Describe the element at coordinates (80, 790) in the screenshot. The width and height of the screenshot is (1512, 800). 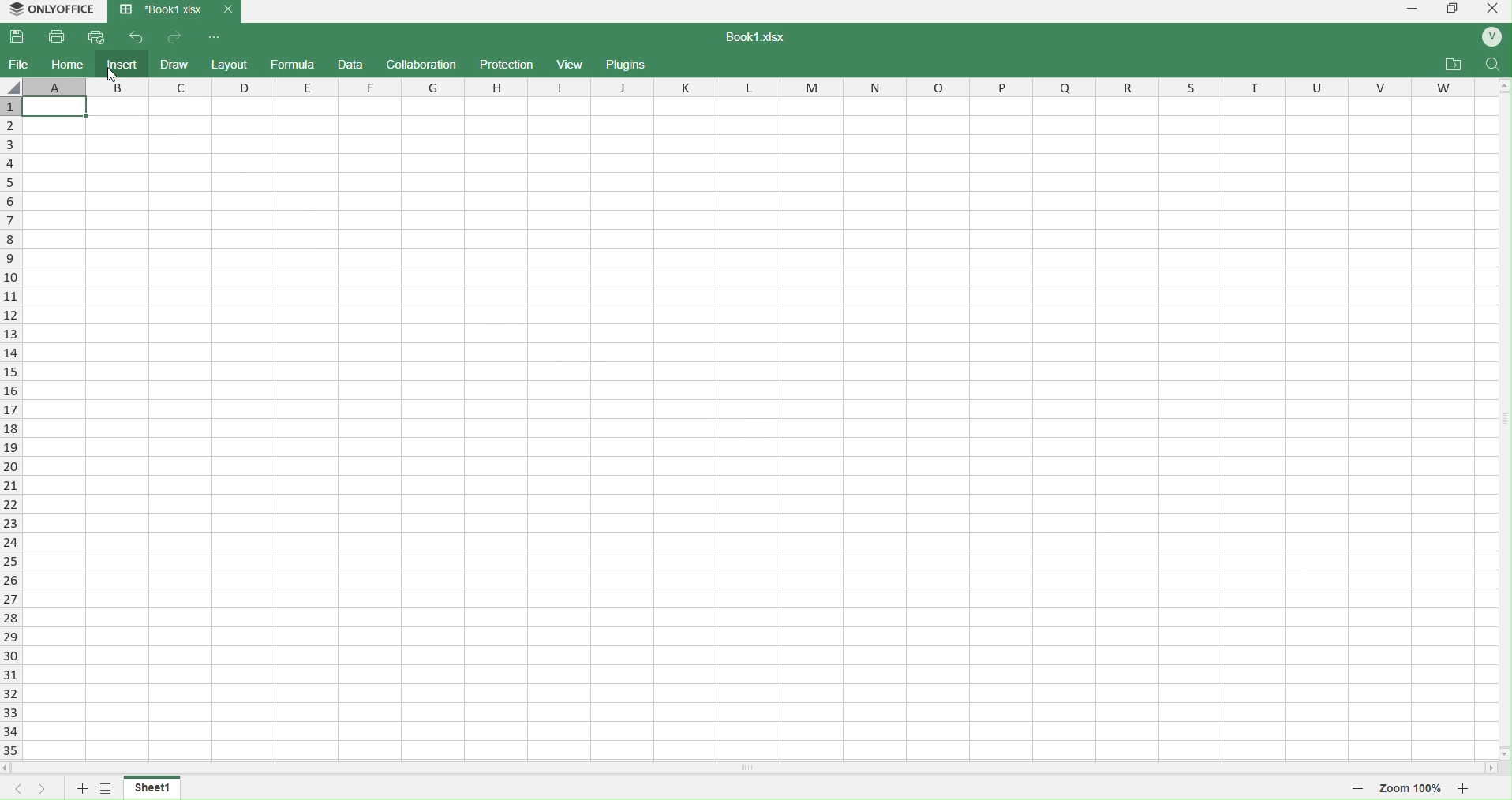
I see `add sheet` at that location.